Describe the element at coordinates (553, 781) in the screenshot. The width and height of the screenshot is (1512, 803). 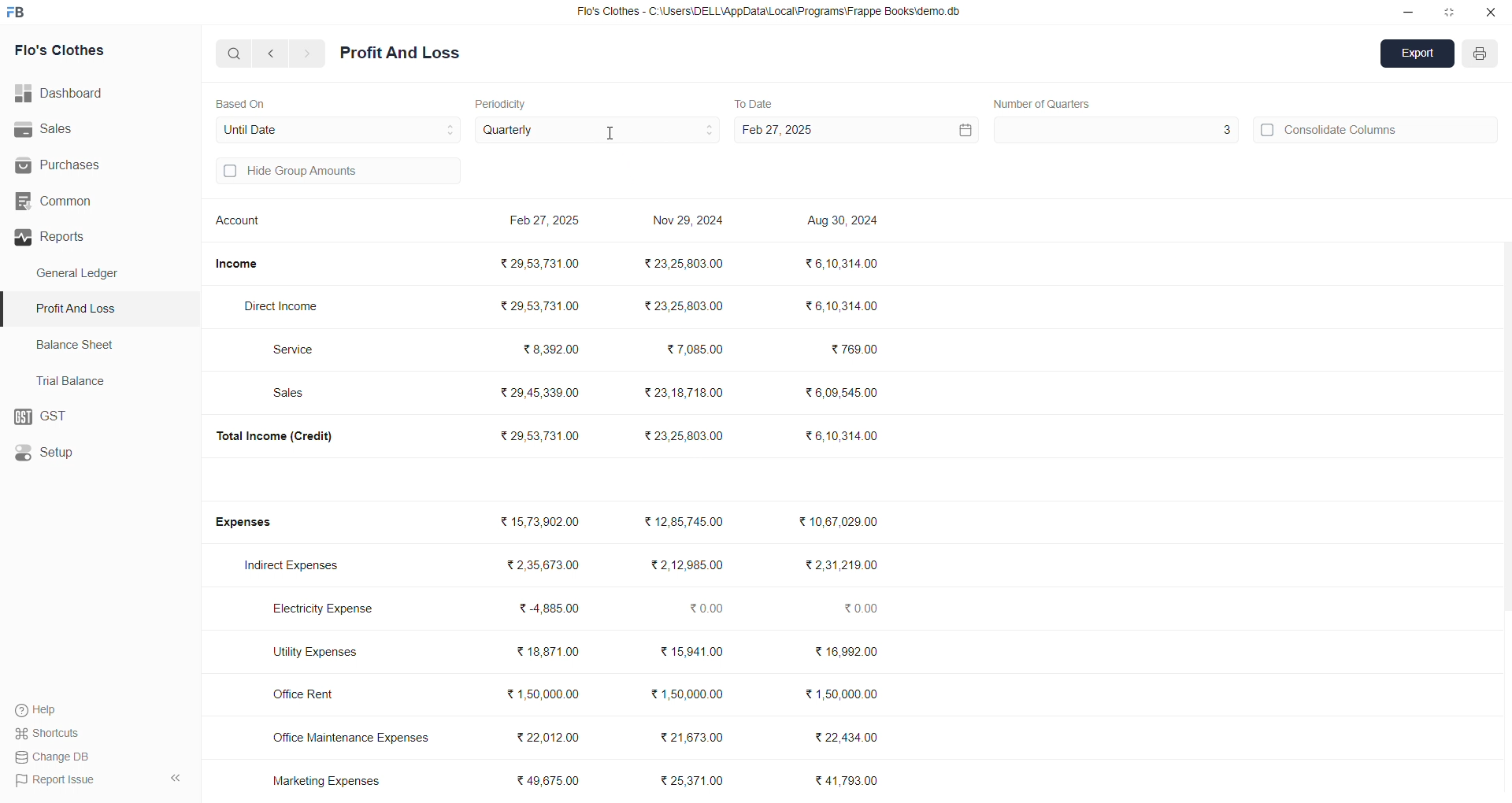
I see `₹49,675.00` at that location.